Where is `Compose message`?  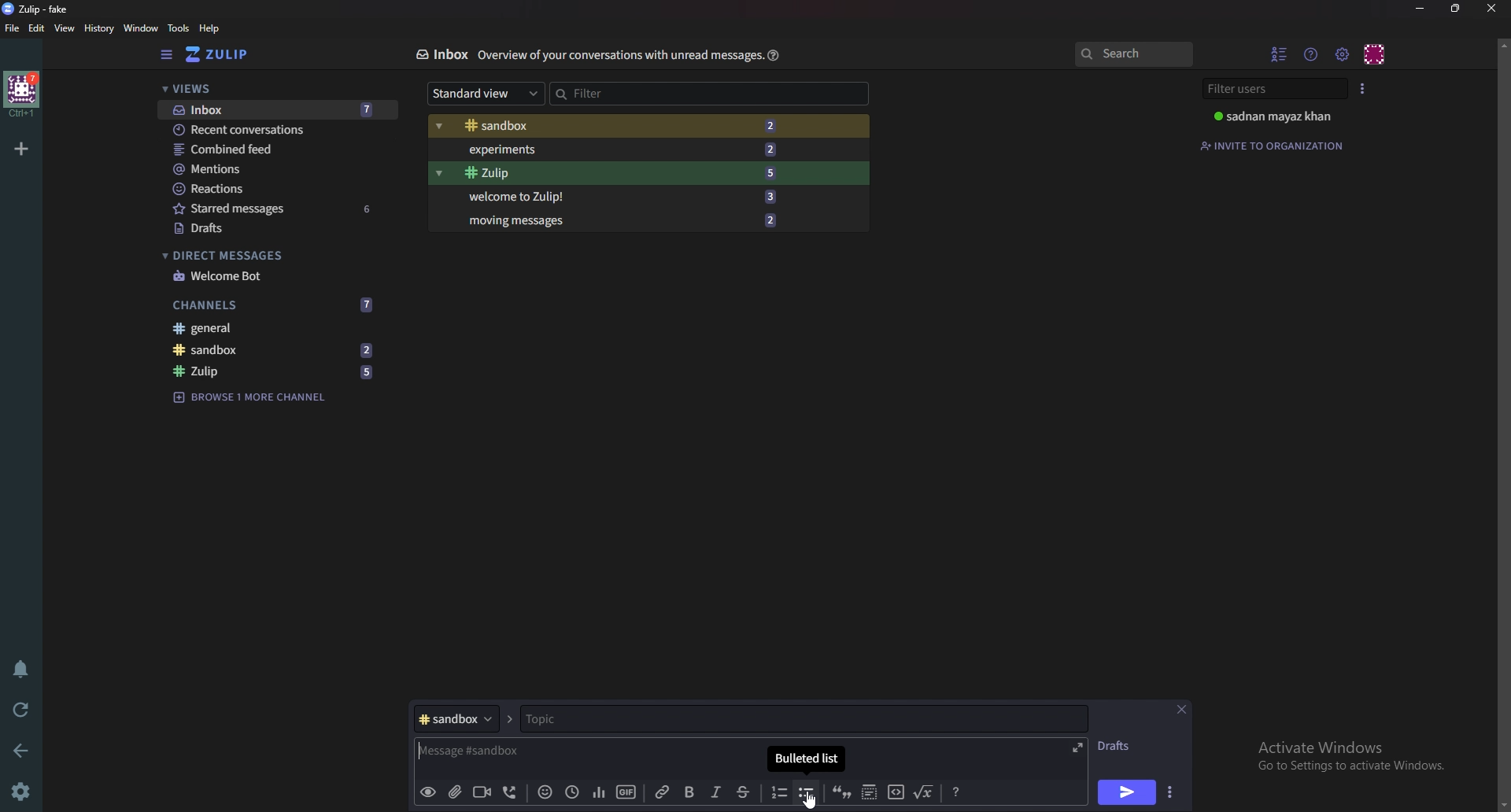
Compose message is located at coordinates (585, 751).